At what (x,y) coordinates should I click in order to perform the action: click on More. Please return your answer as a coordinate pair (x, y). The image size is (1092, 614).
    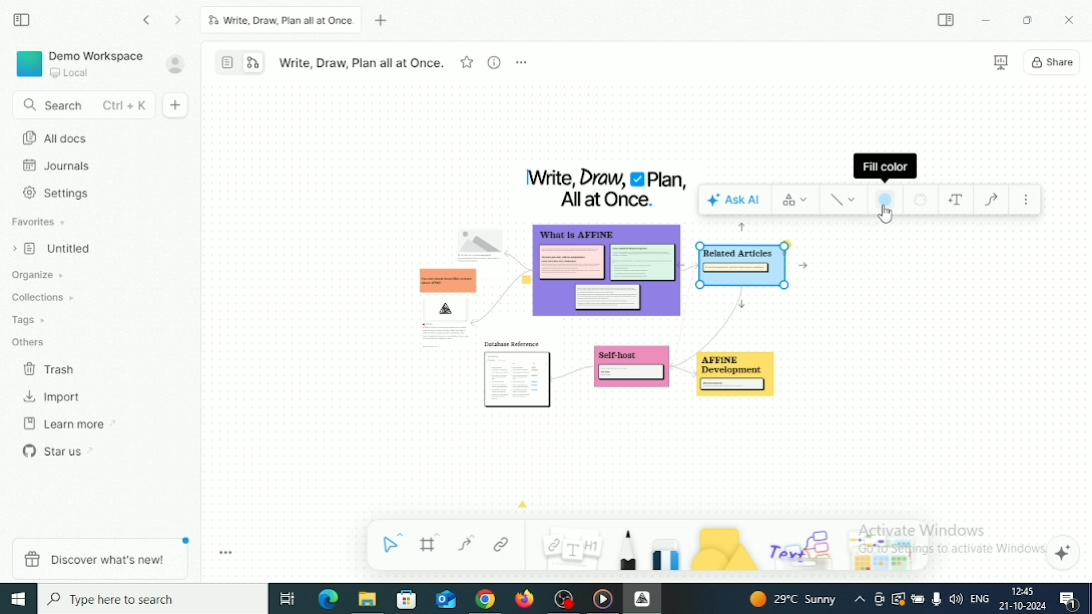
    Looking at the image, I should click on (521, 62).